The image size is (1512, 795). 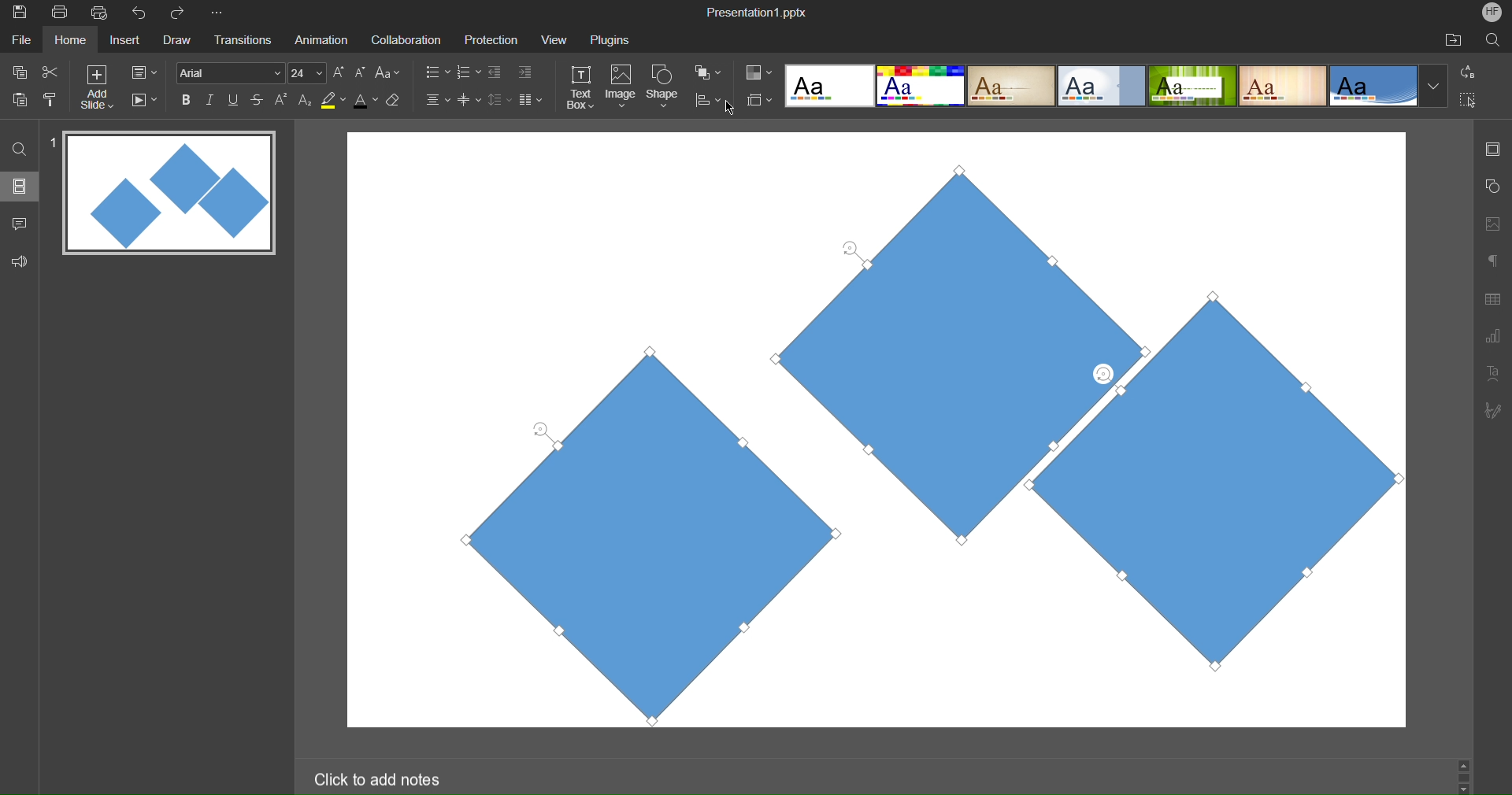 What do you see at coordinates (220, 13) in the screenshot?
I see `More` at bounding box center [220, 13].